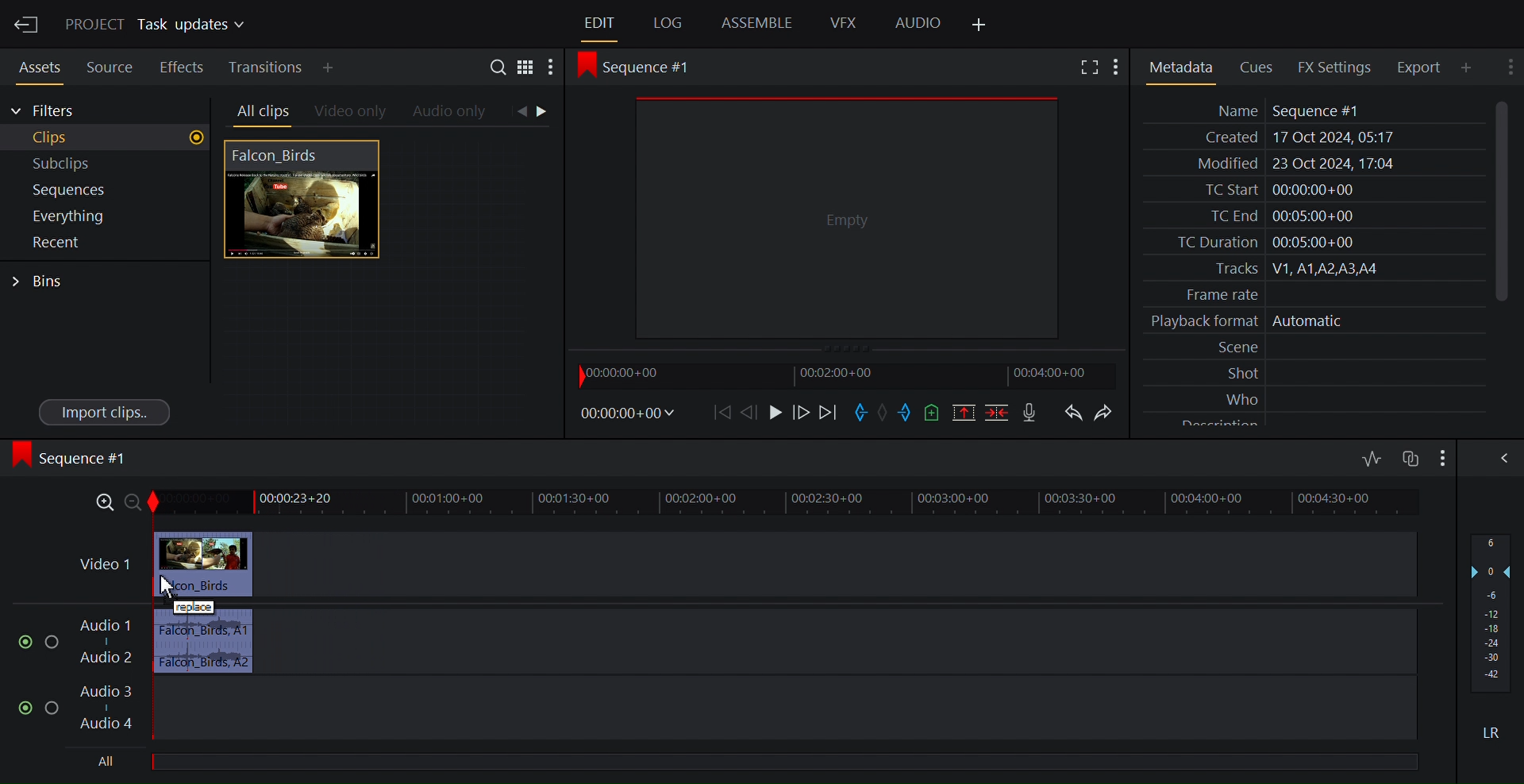  I want to click on Add Panel, so click(978, 25).